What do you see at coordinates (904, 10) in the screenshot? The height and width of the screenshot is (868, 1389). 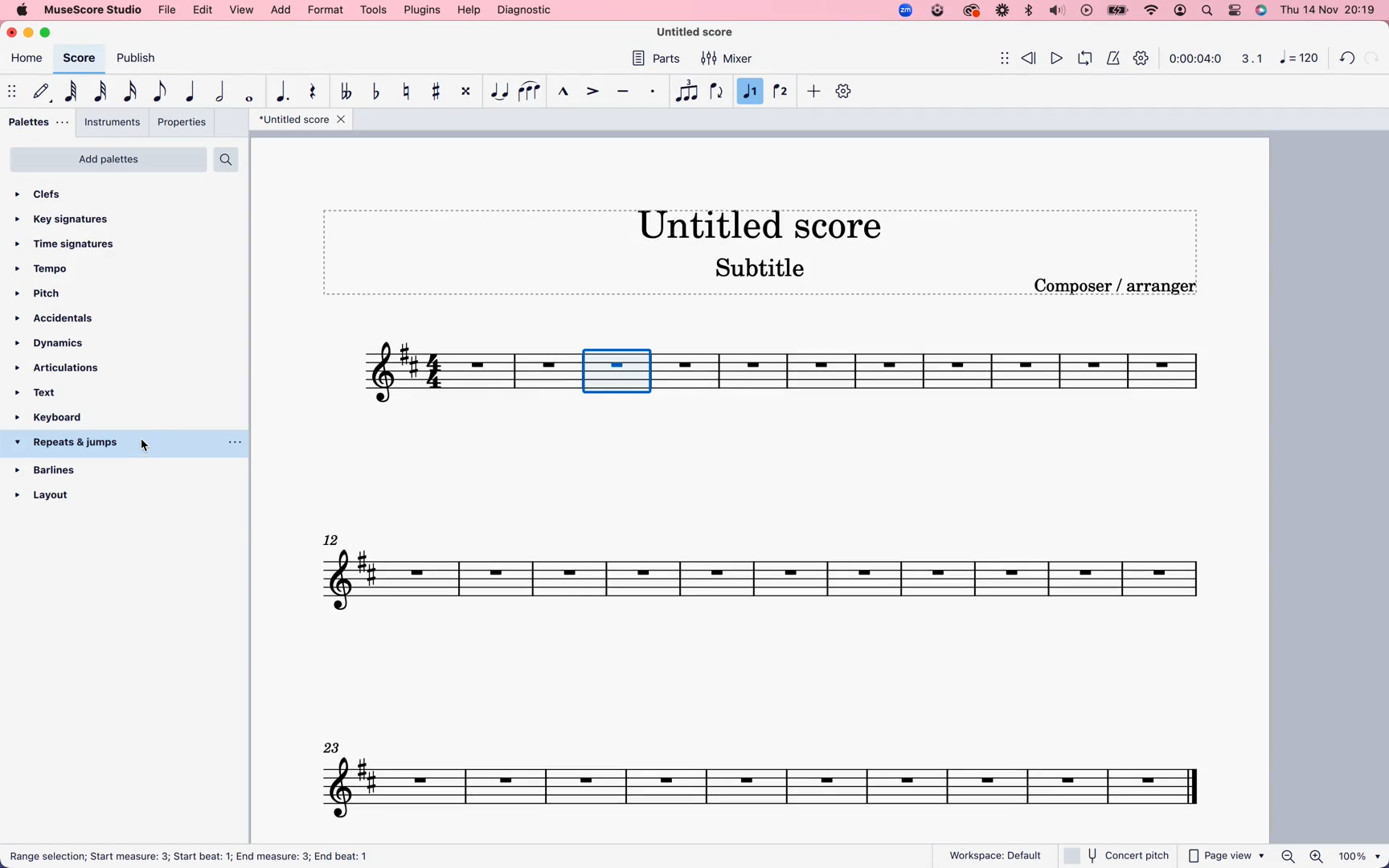 I see `zoom` at bounding box center [904, 10].